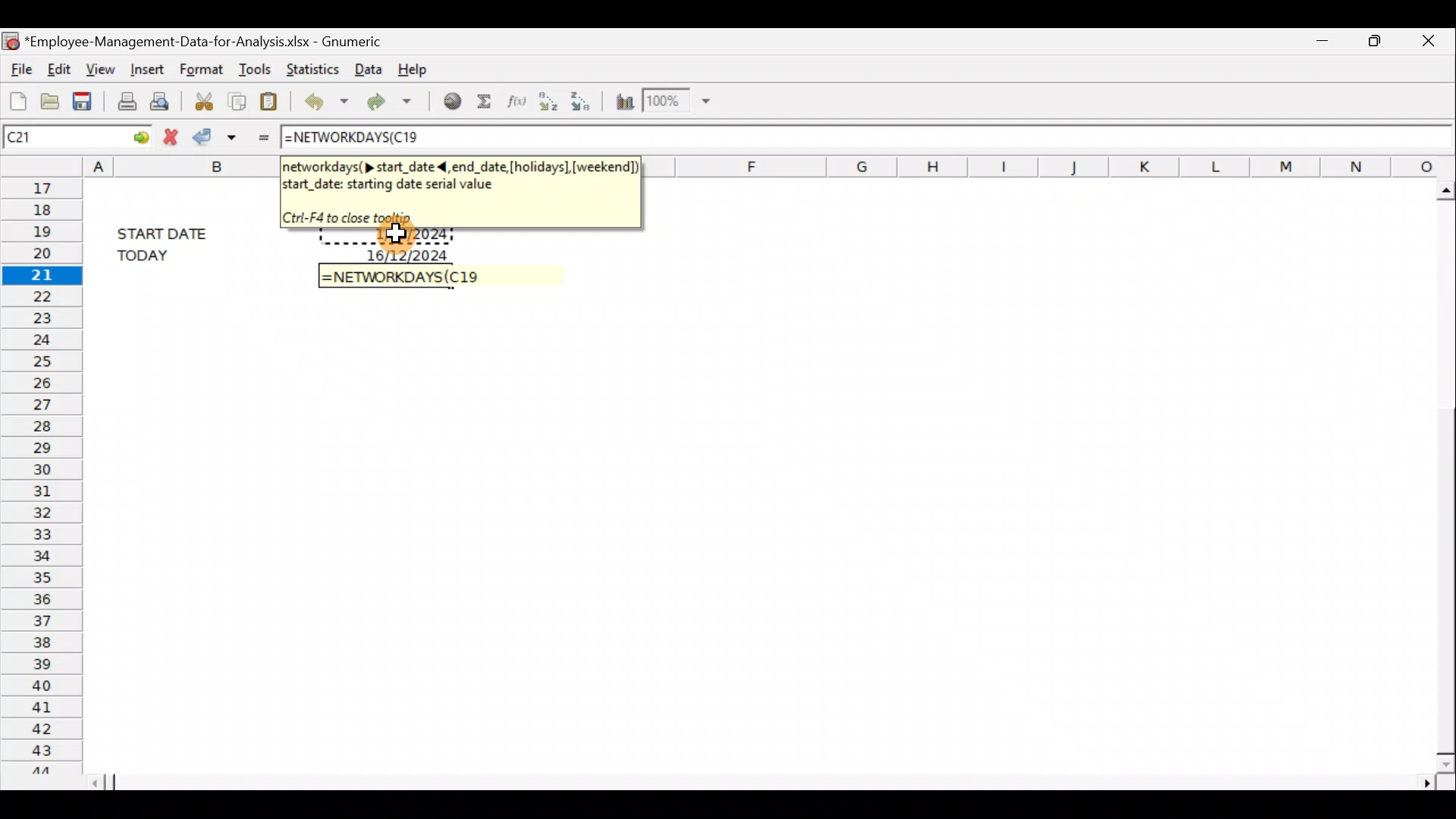 This screenshot has height=819, width=1456. Describe the element at coordinates (85, 99) in the screenshot. I see `Save the current workbook` at that location.